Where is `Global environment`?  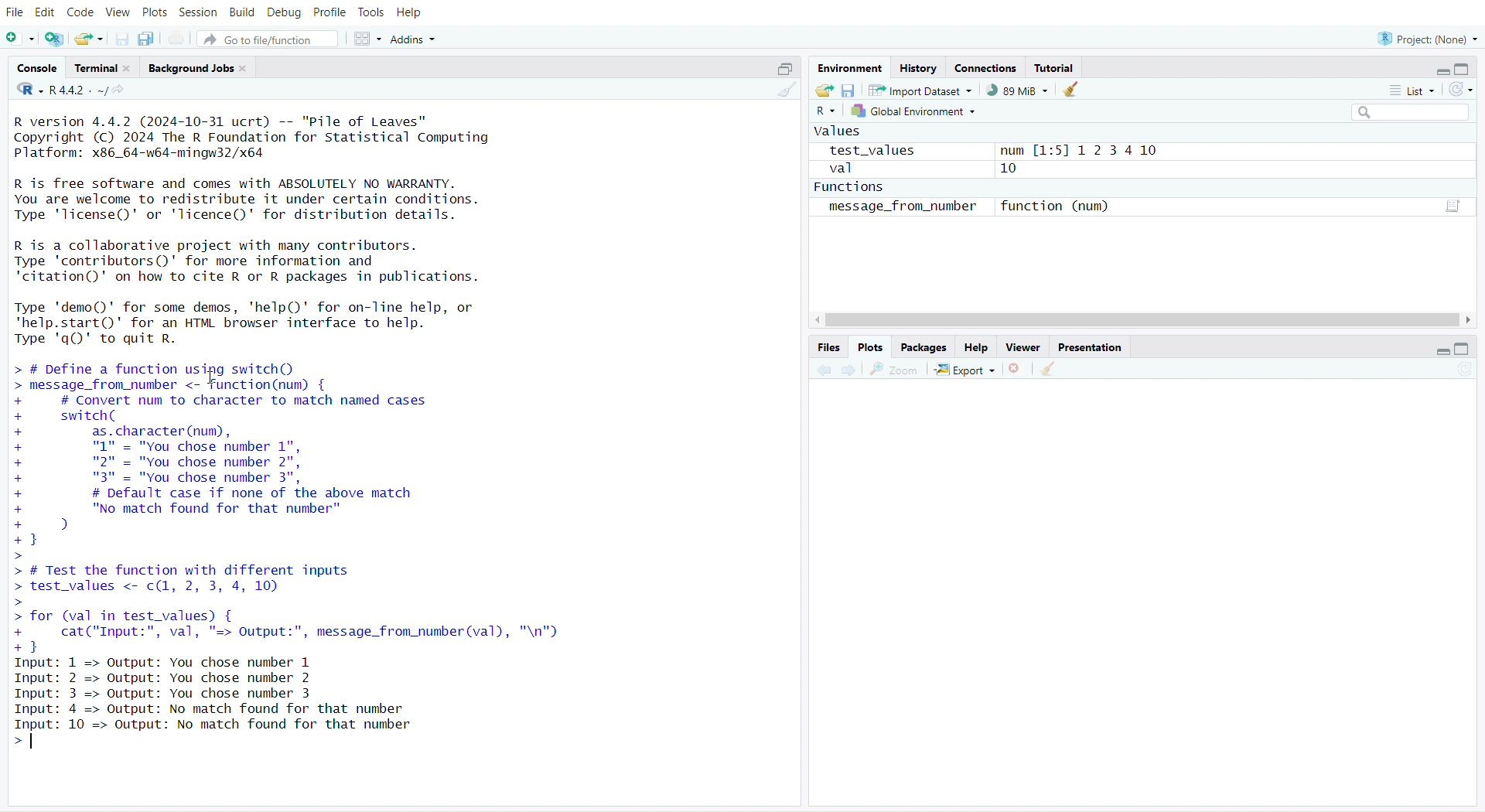
Global environment is located at coordinates (917, 112).